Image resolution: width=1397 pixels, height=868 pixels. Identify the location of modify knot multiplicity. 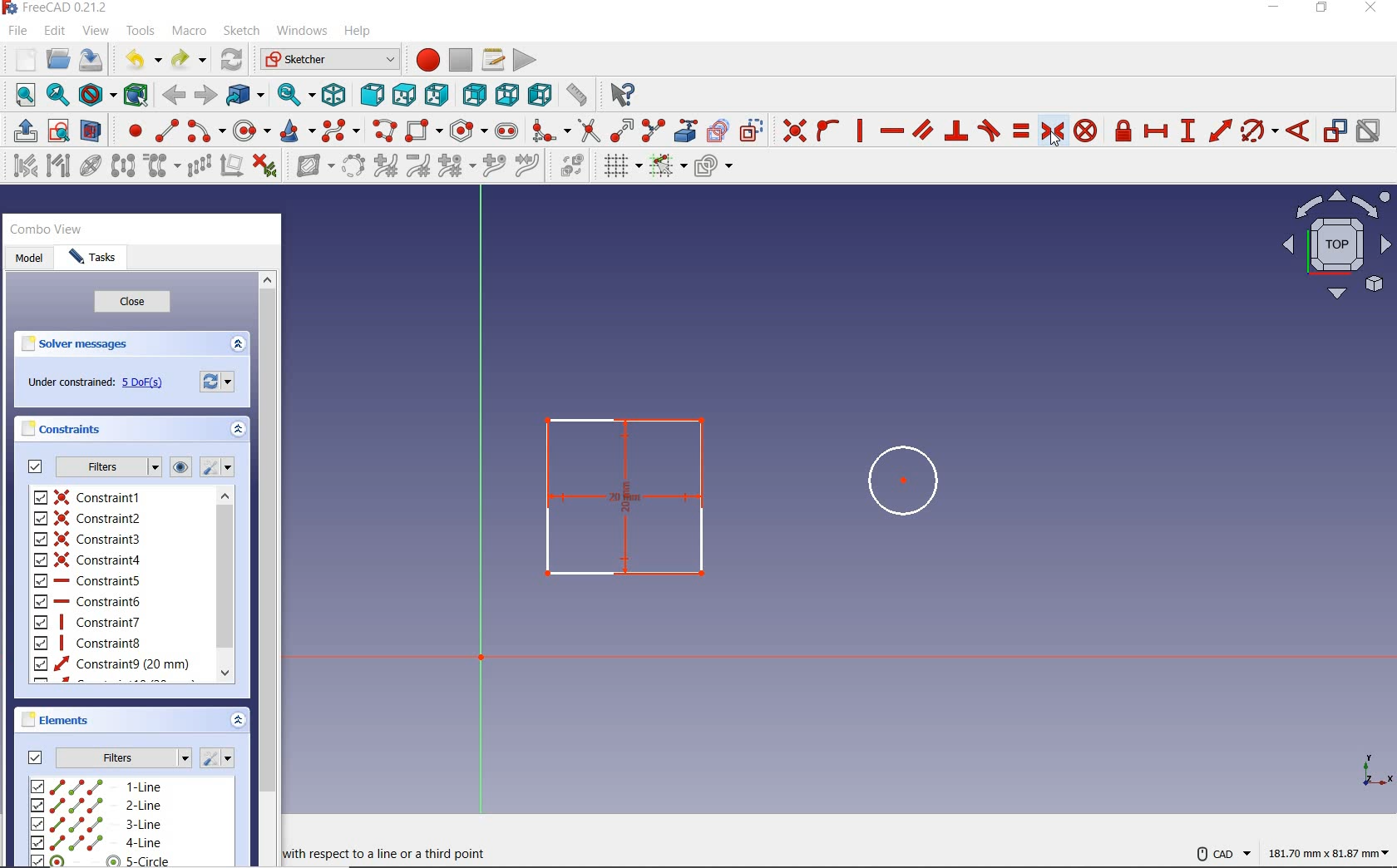
(457, 167).